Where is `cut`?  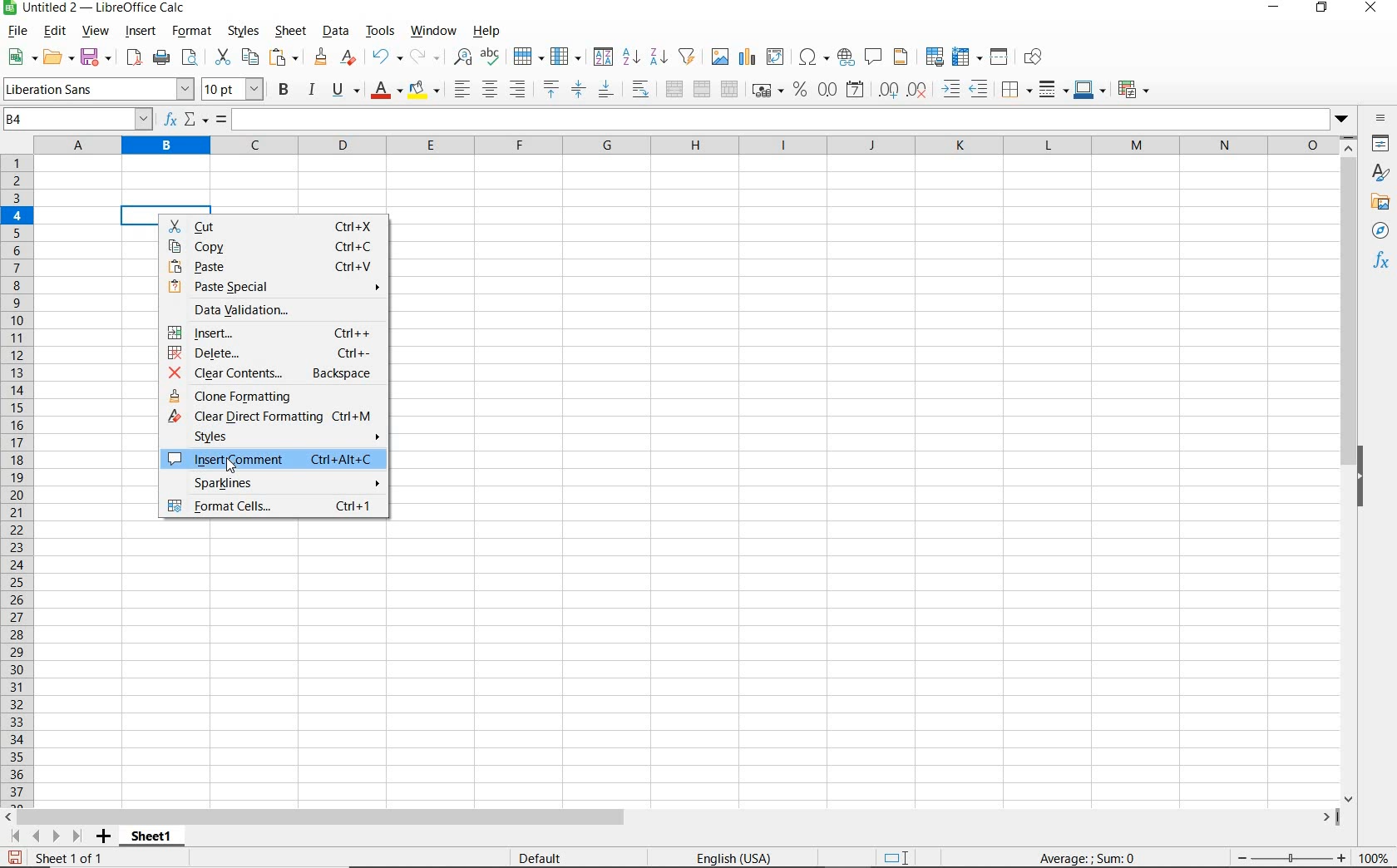 cut is located at coordinates (224, 56).